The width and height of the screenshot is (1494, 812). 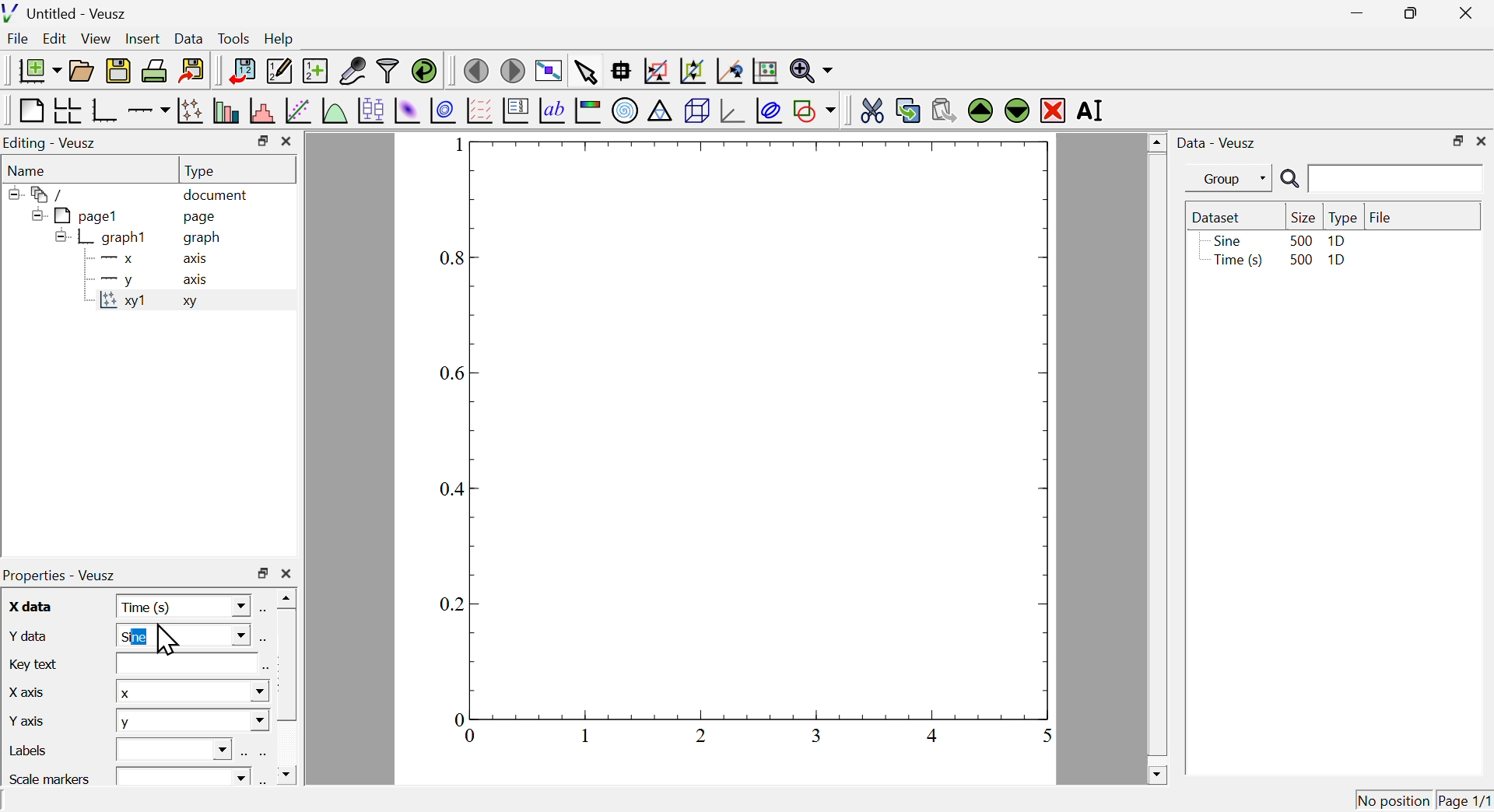 What do you see at coordinates (1096, 111) in the screenshot?
I see `rename the selected widget` at bounding box center [1096, 111].